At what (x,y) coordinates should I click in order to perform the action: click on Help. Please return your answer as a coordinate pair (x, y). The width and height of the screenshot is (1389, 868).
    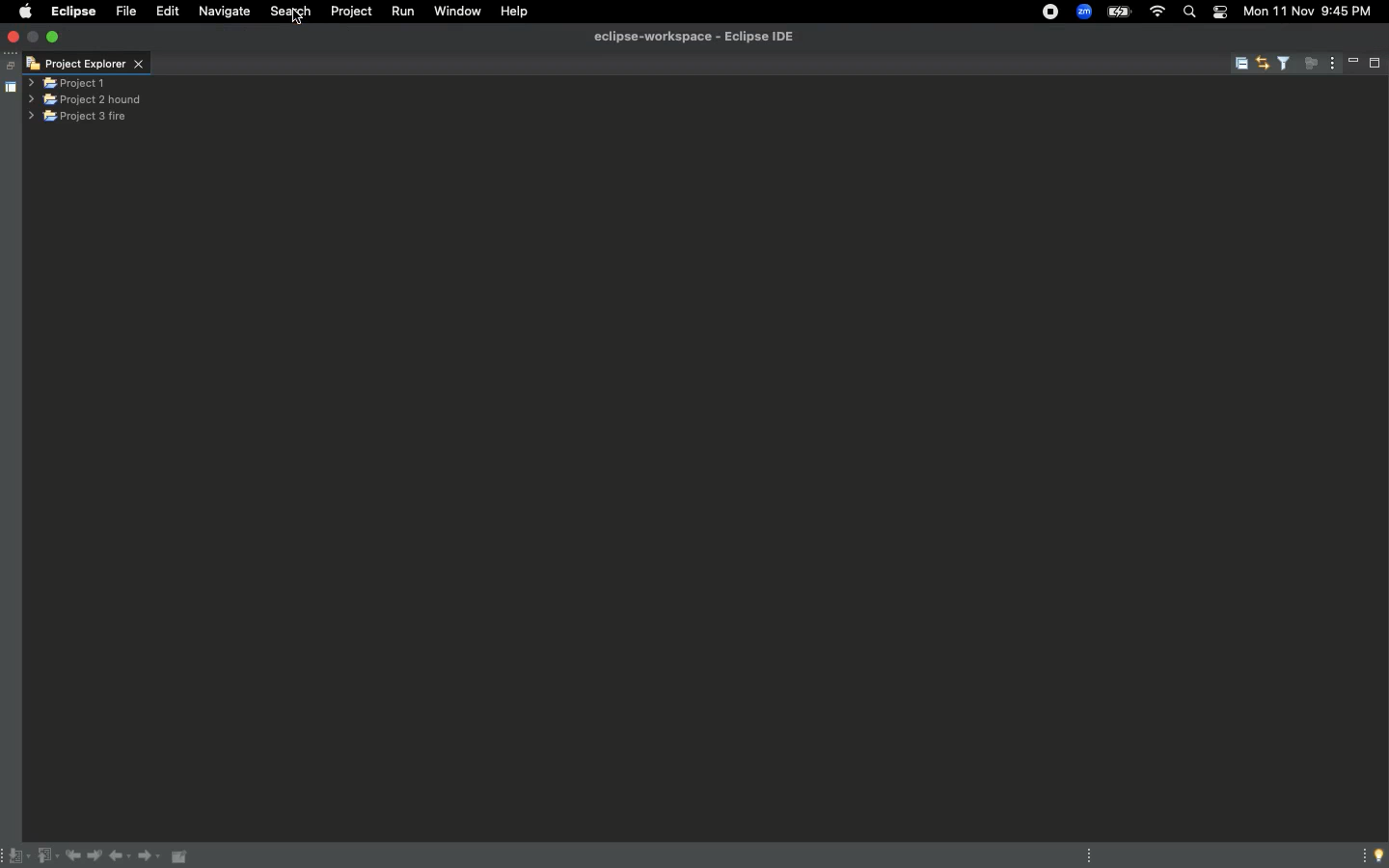
    Looking at the image, I should click on (521, 13).